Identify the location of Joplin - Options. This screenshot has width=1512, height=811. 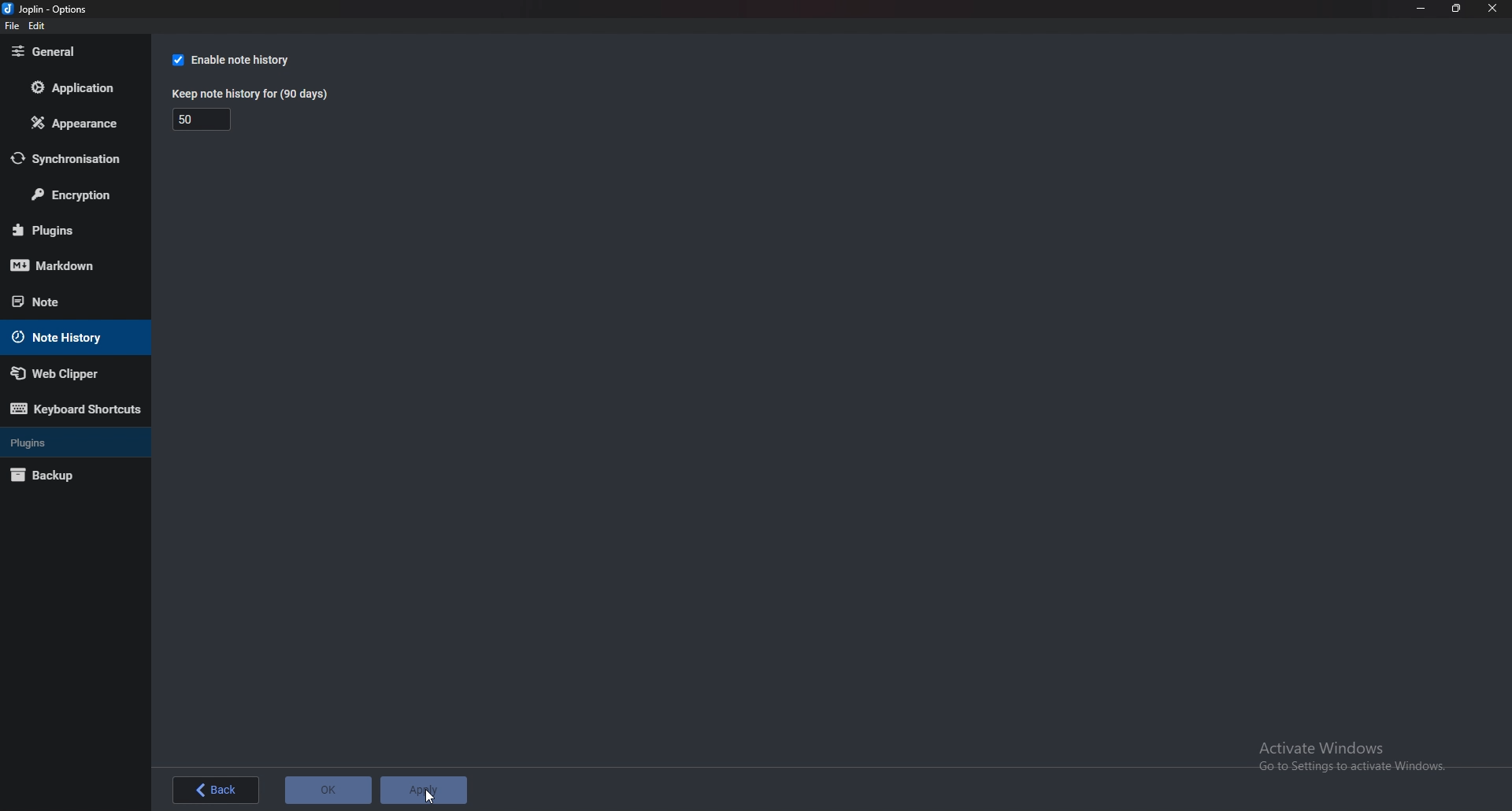
(49, 9).